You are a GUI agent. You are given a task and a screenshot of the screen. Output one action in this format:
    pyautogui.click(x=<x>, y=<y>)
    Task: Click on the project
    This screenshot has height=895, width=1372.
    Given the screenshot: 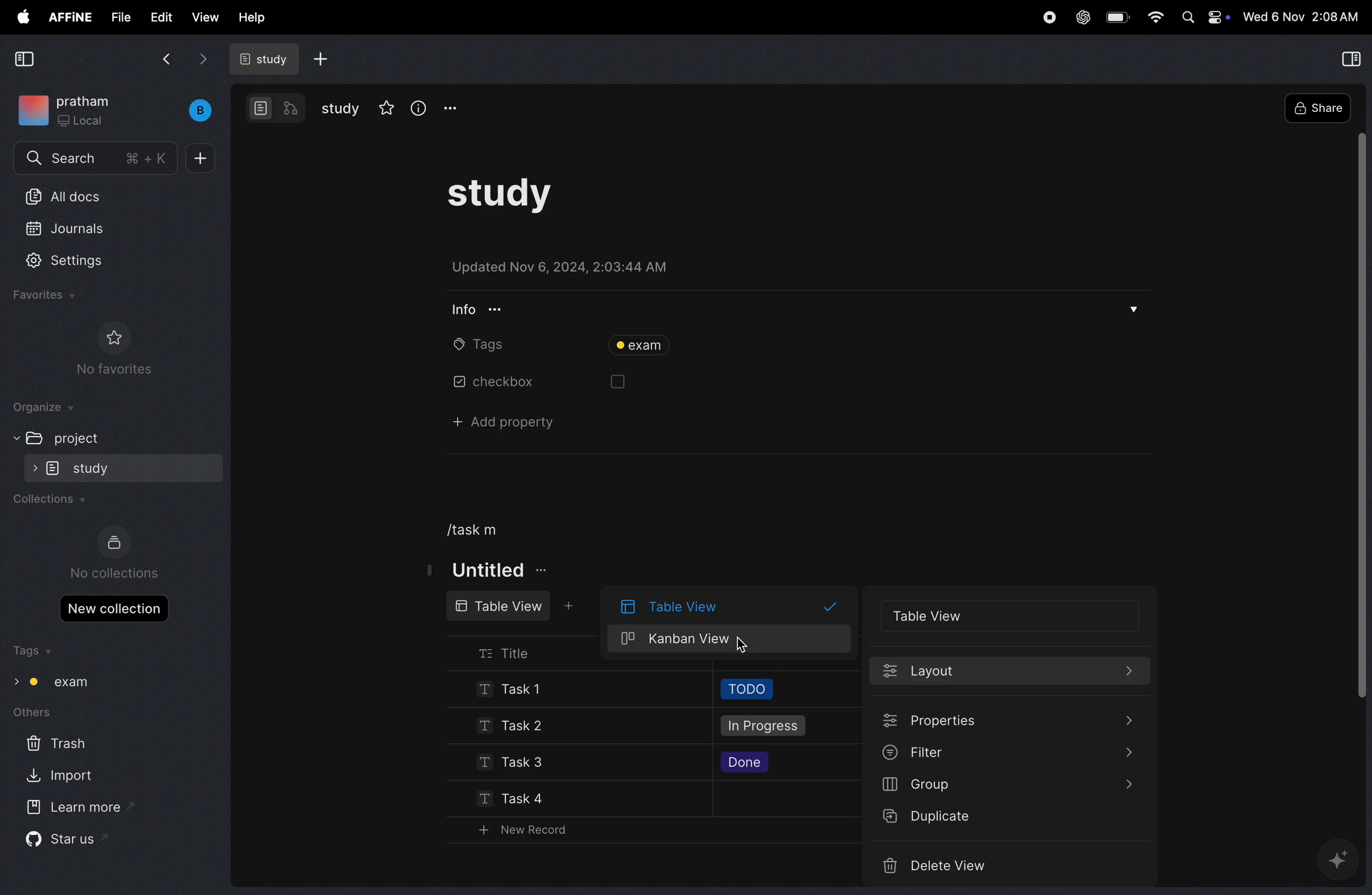 What is the action you would take?
    pyautogui.click(x=67, y=437)
    